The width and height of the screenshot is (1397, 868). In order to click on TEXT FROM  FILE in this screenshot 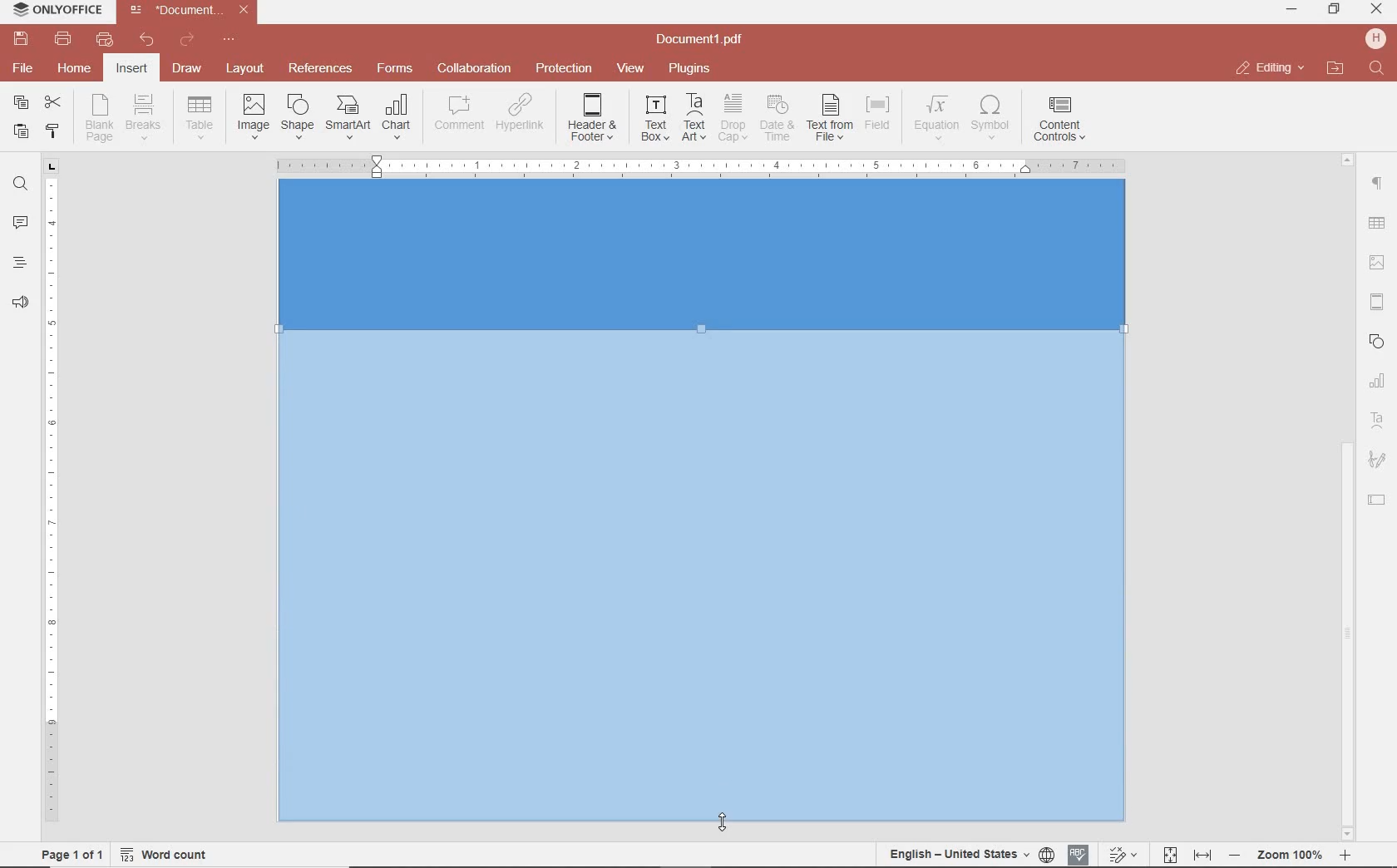, I will do `click(830, 118)`.